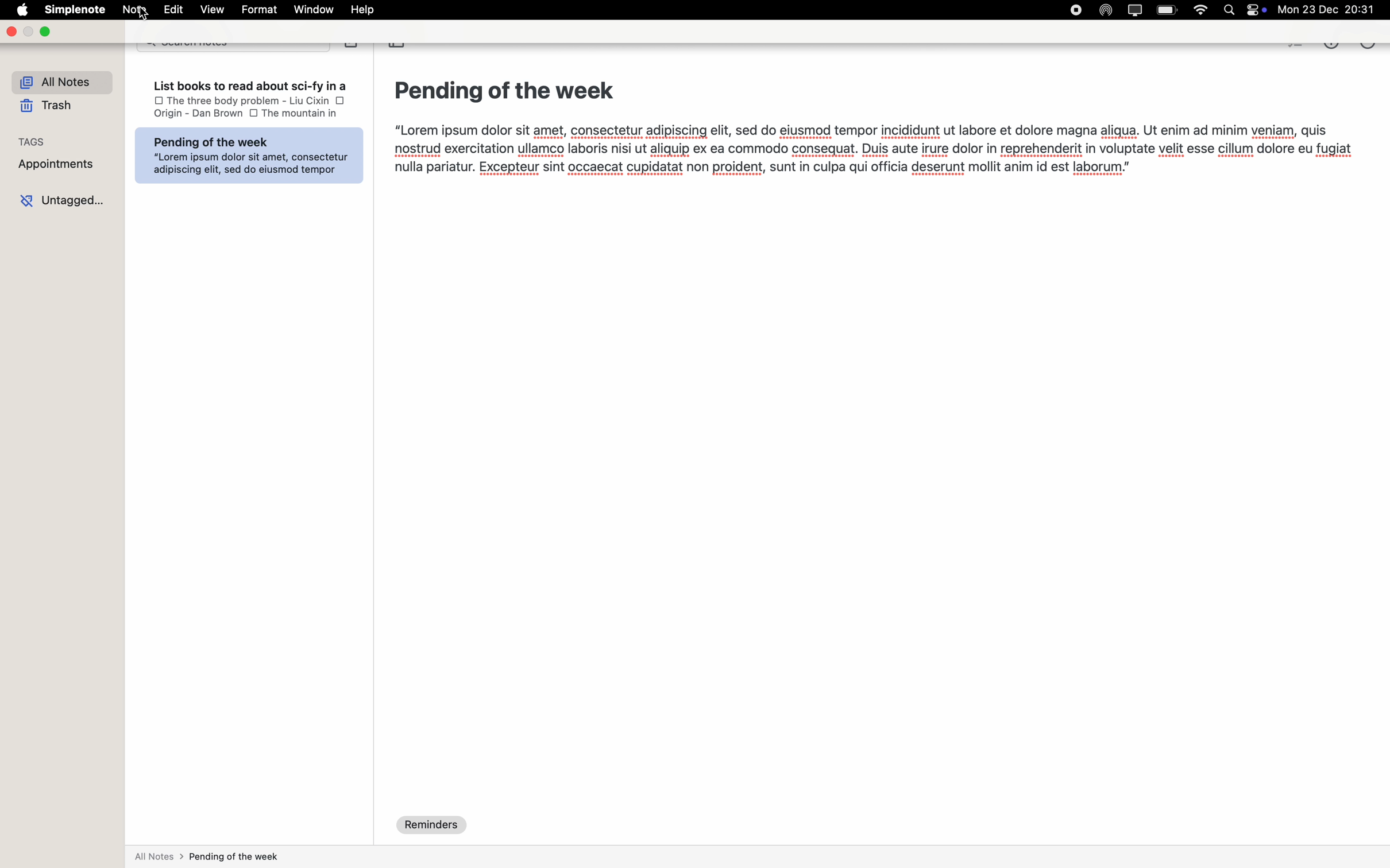 The image size is (1390, 868). Describe the element at coordinates (244, 156) in the screenshot. I see `Pending of the week
“Lorem ipsum dolor sit amet, consectetur
adipiscing elit, sed do eiusmod tempor` at that location.